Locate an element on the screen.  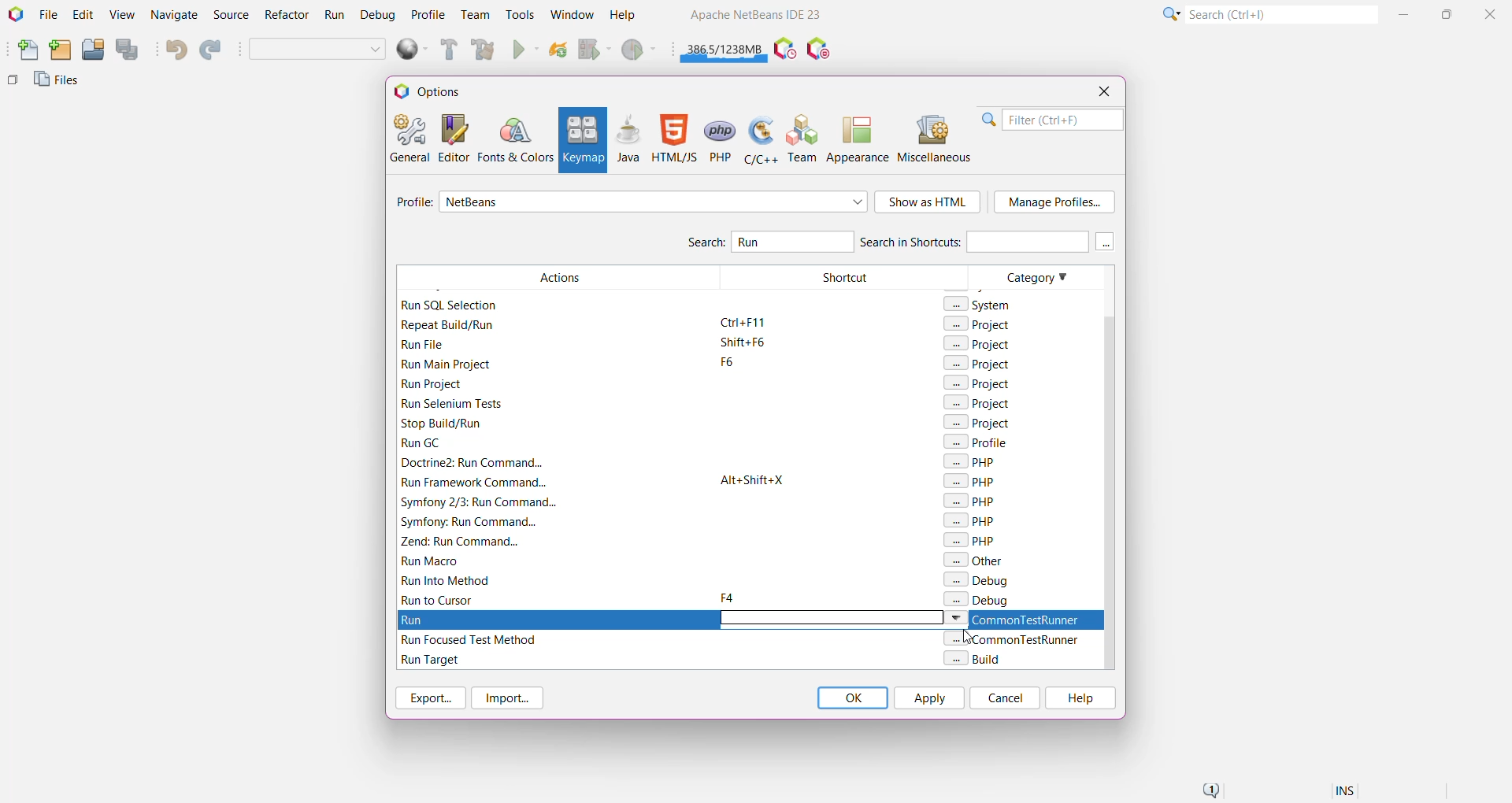
Search is located at coordinates (1280, 13).